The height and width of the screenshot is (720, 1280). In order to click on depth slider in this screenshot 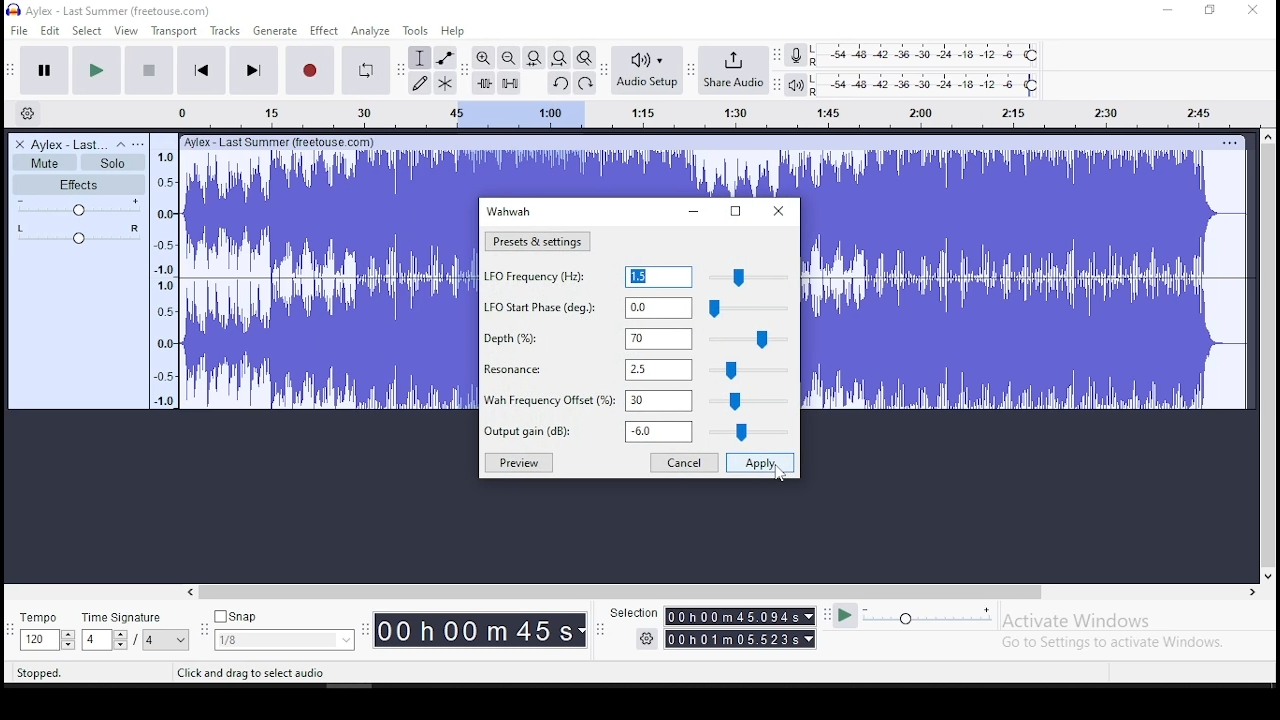, I will do `click(746, 338)`.